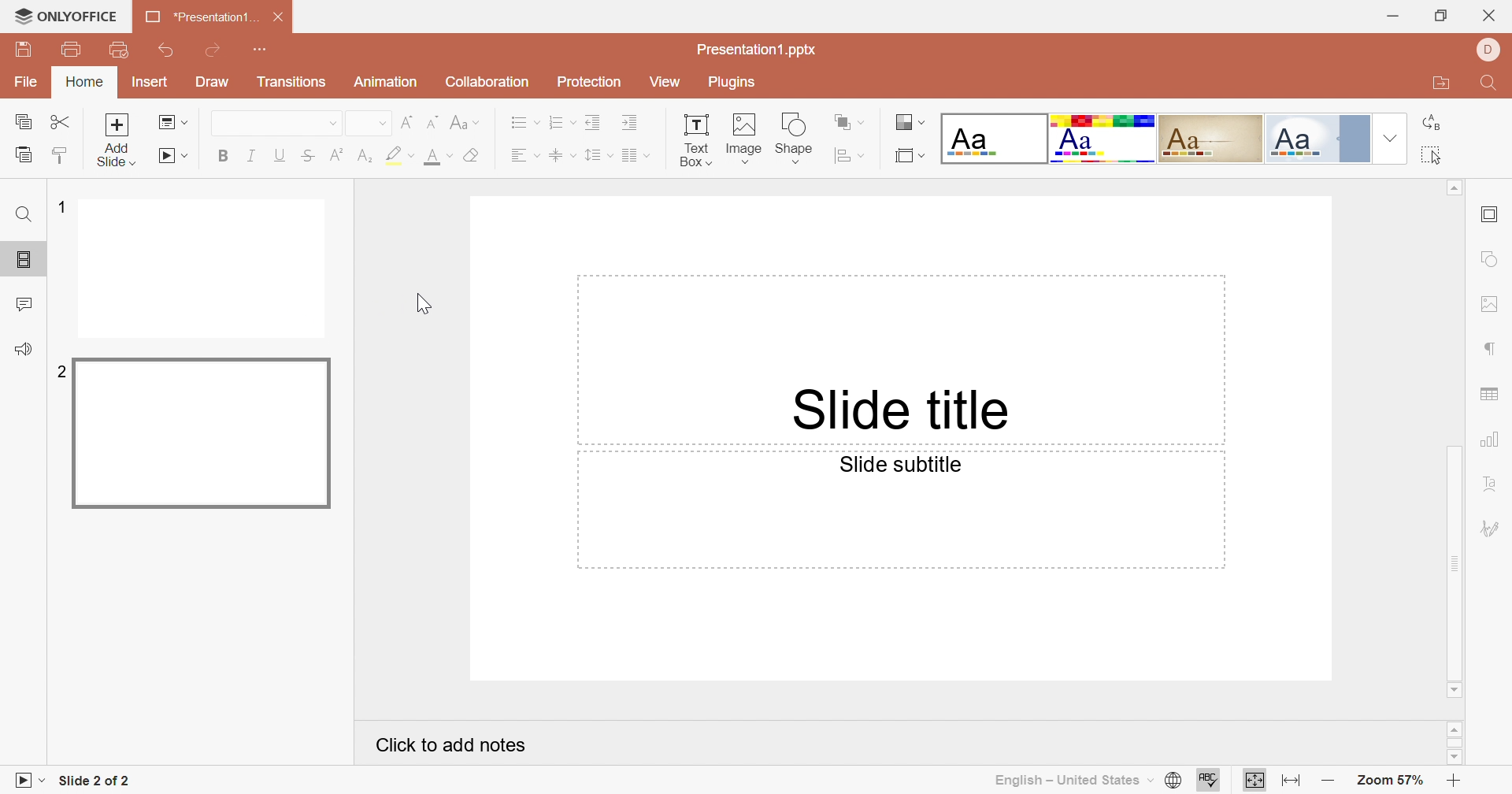 The image size is (1512, 794). I want to click on Drop Down, so click(930, 123).